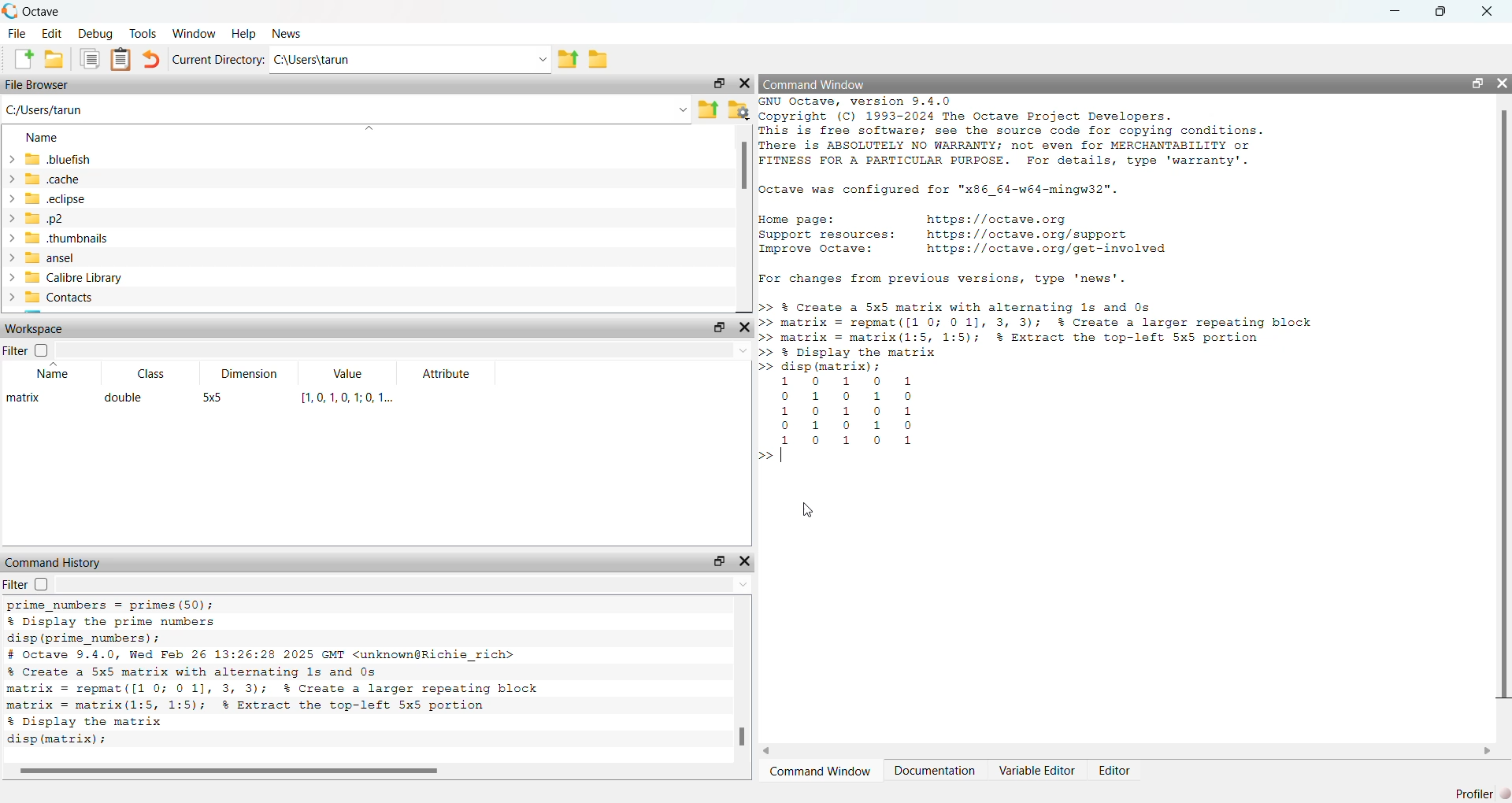  What do you see at coordinates (1396, 9) in the screenshot?
I see `minimise` at bounding box center [1396, 9].